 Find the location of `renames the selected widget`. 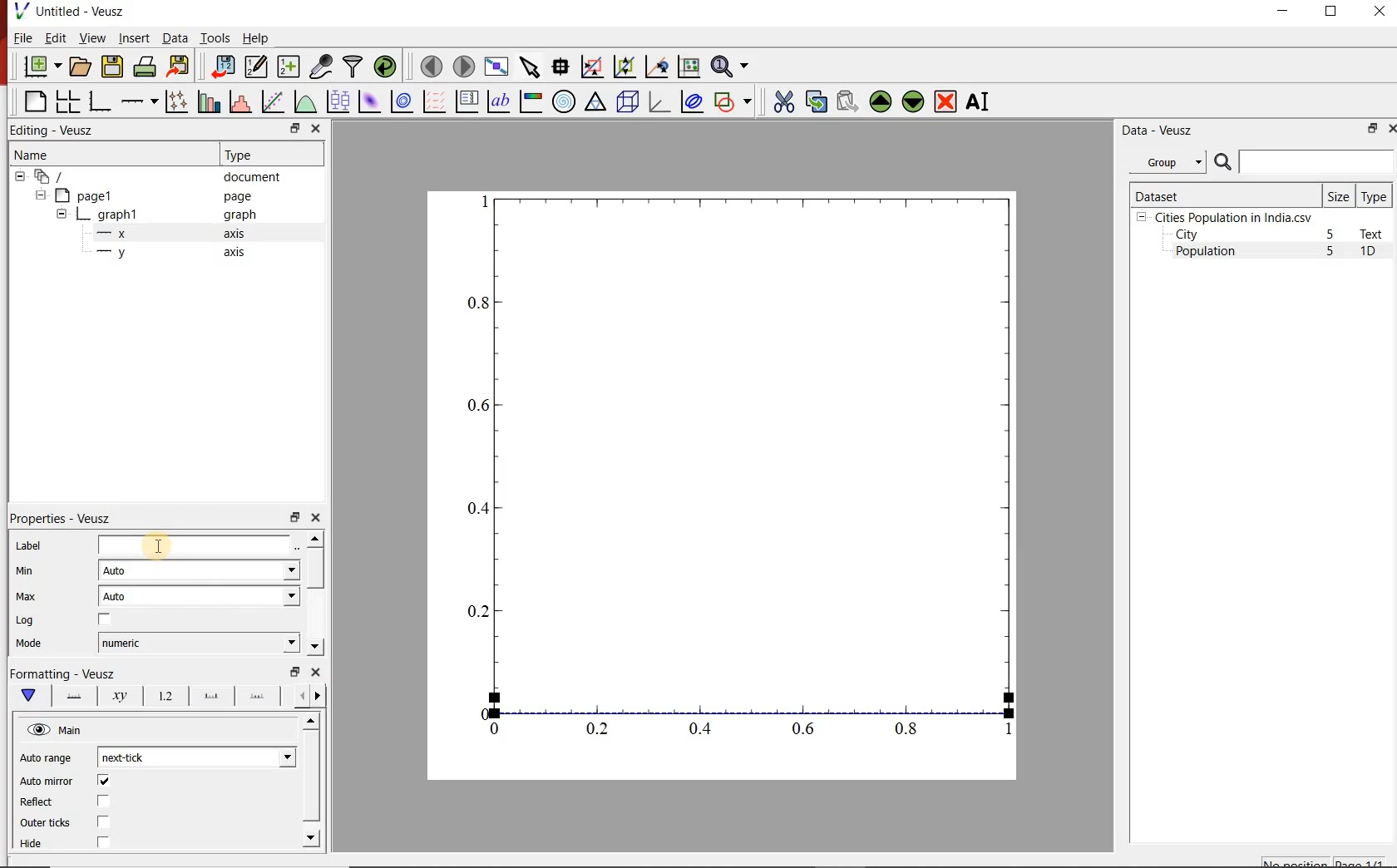

renames the selected widget is located at coordinates (979, 101).